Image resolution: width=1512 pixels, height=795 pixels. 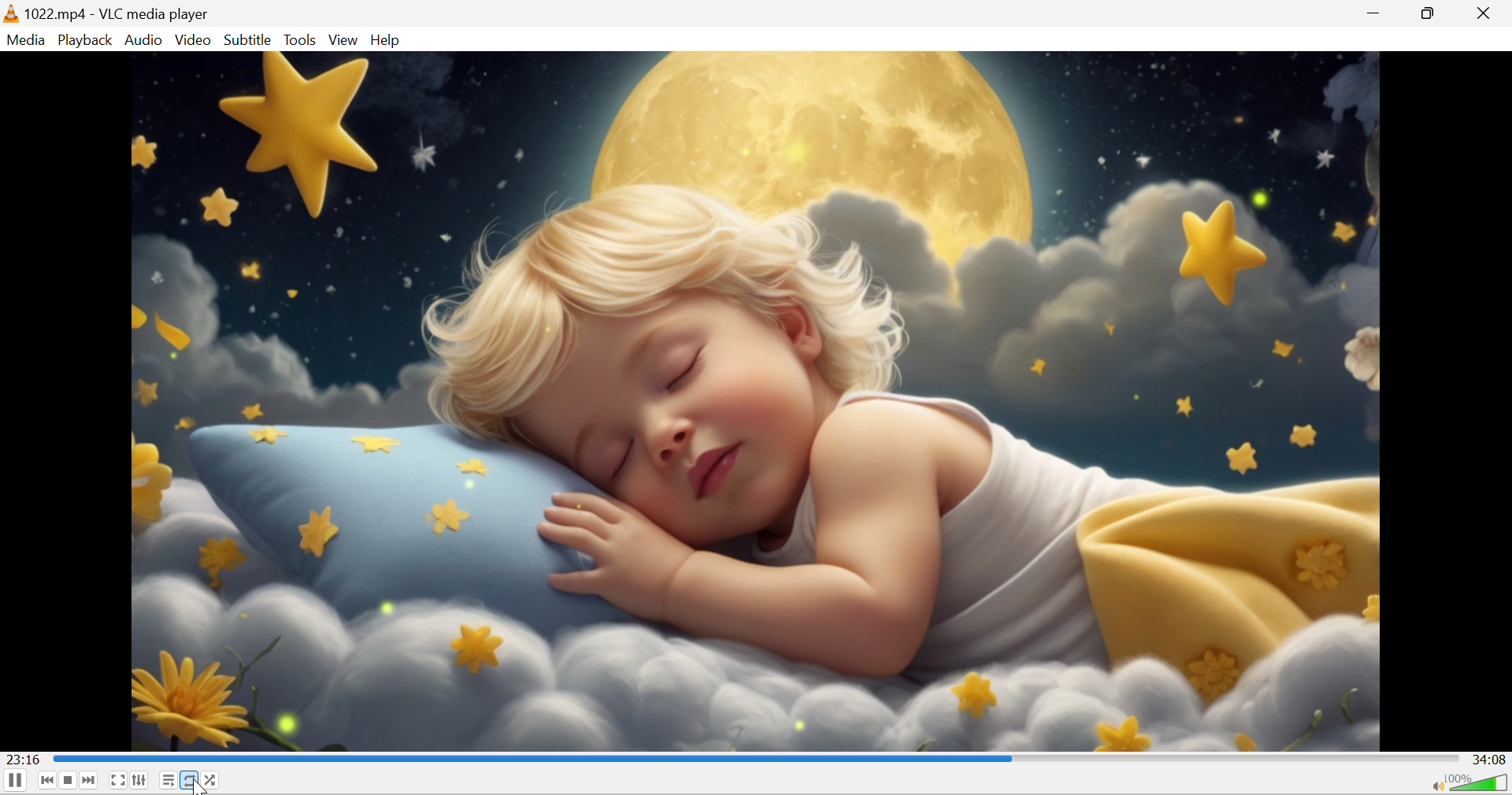 I want to click on Toggle playlist, so click(x=168, y=780).